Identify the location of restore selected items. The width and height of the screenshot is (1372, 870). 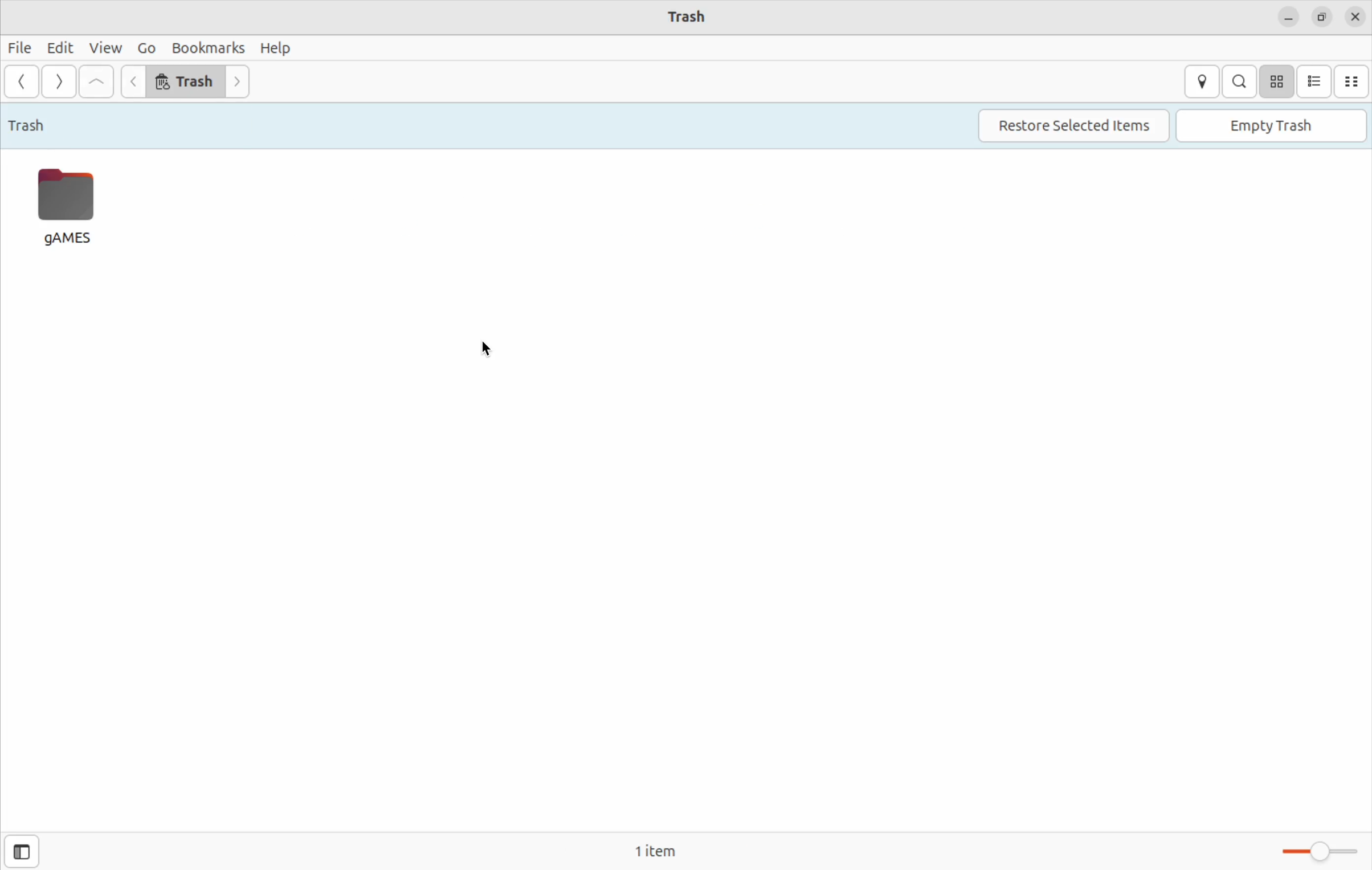
(1077, 125).